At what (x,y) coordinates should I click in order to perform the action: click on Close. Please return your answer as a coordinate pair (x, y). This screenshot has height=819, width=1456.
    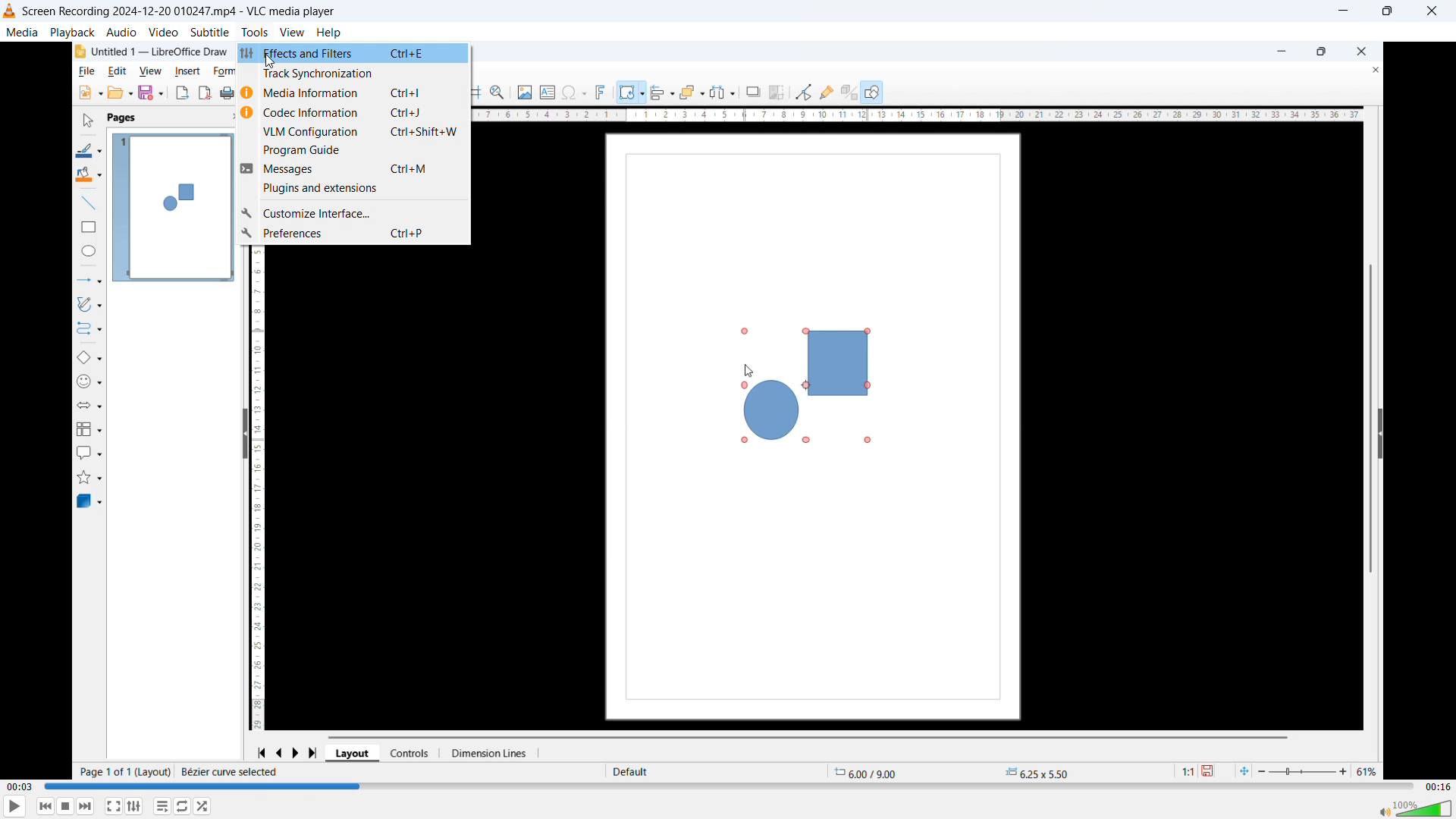
    Looking at the image, I should click on (1435, 11).